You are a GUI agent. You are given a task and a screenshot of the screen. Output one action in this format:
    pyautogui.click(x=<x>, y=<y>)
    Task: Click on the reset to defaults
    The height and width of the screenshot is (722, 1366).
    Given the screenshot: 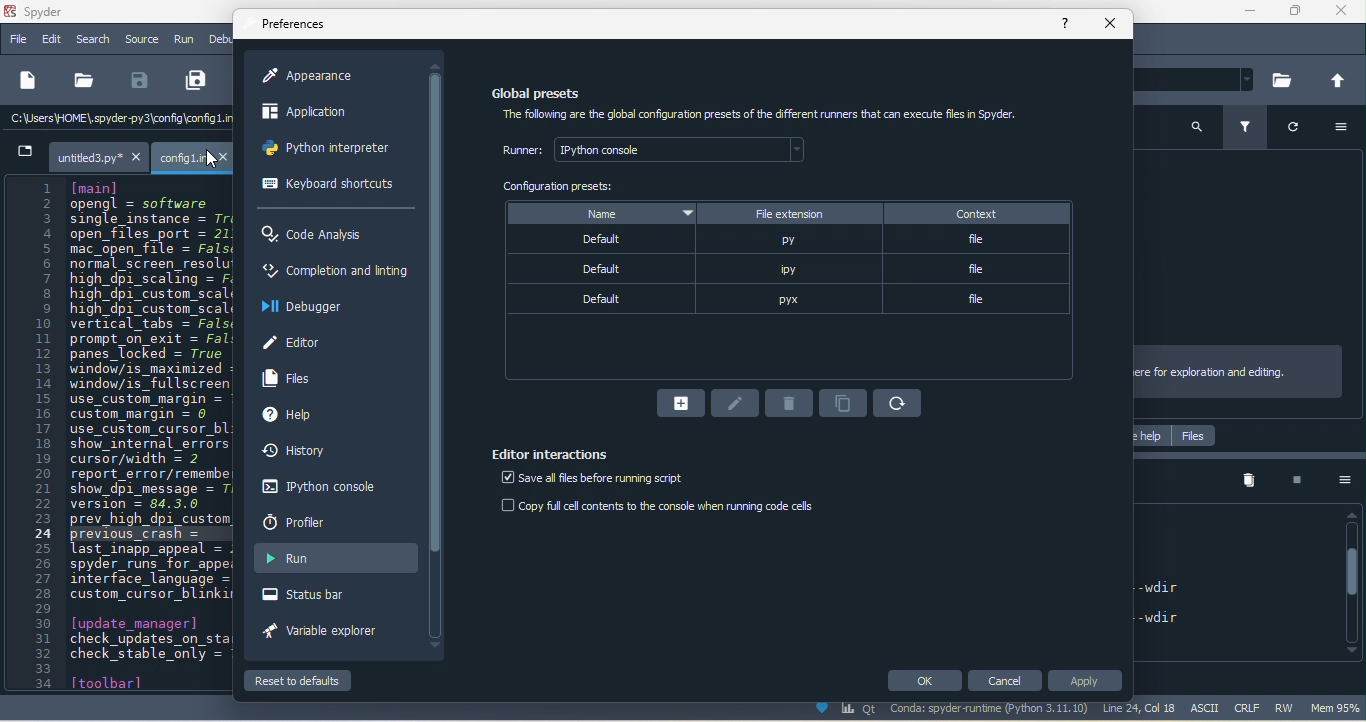 What is the action you would take?
    pyautogui.click(x=300, y=682)
    